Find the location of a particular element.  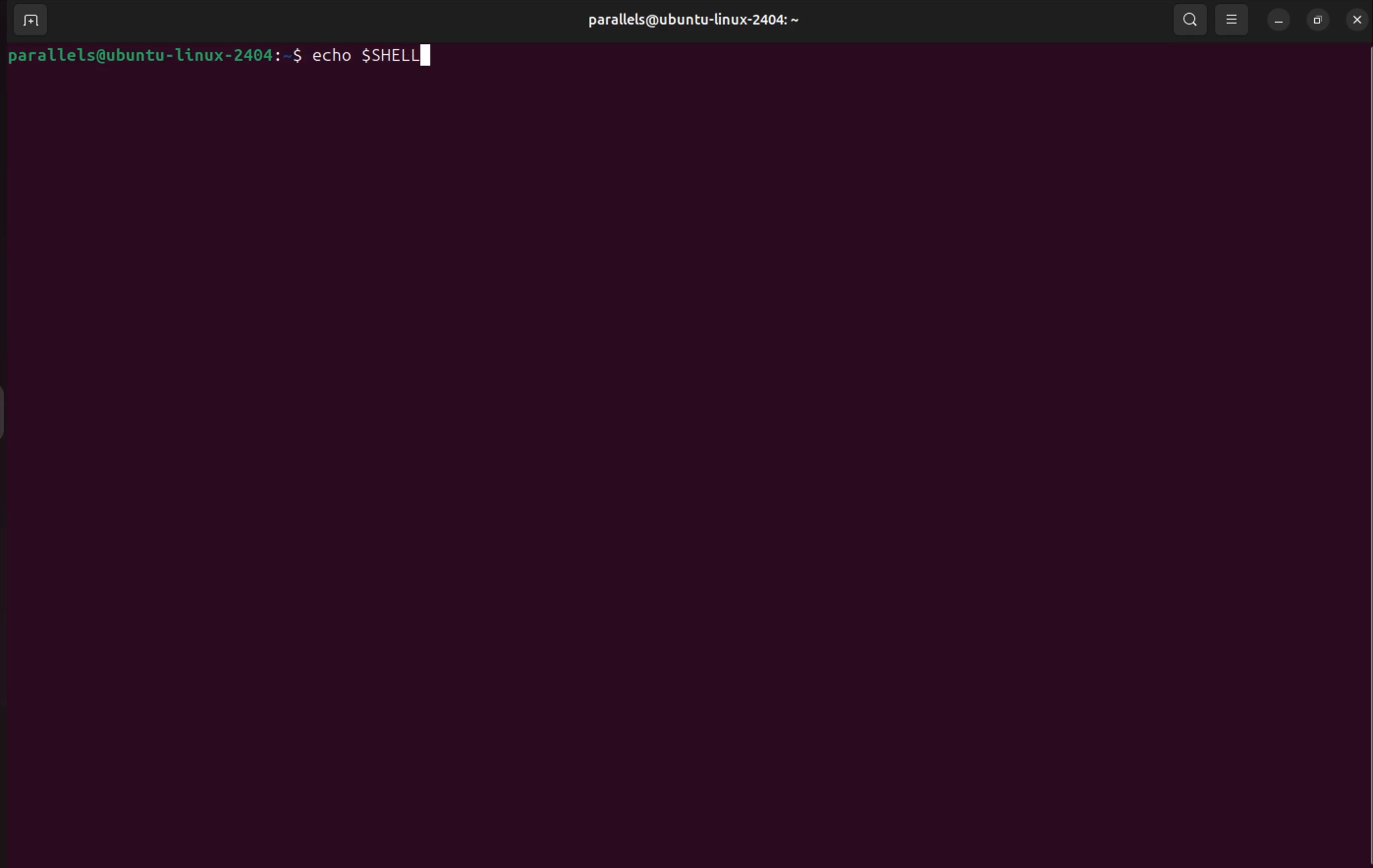

view options is located at coordinates (1233, 20).